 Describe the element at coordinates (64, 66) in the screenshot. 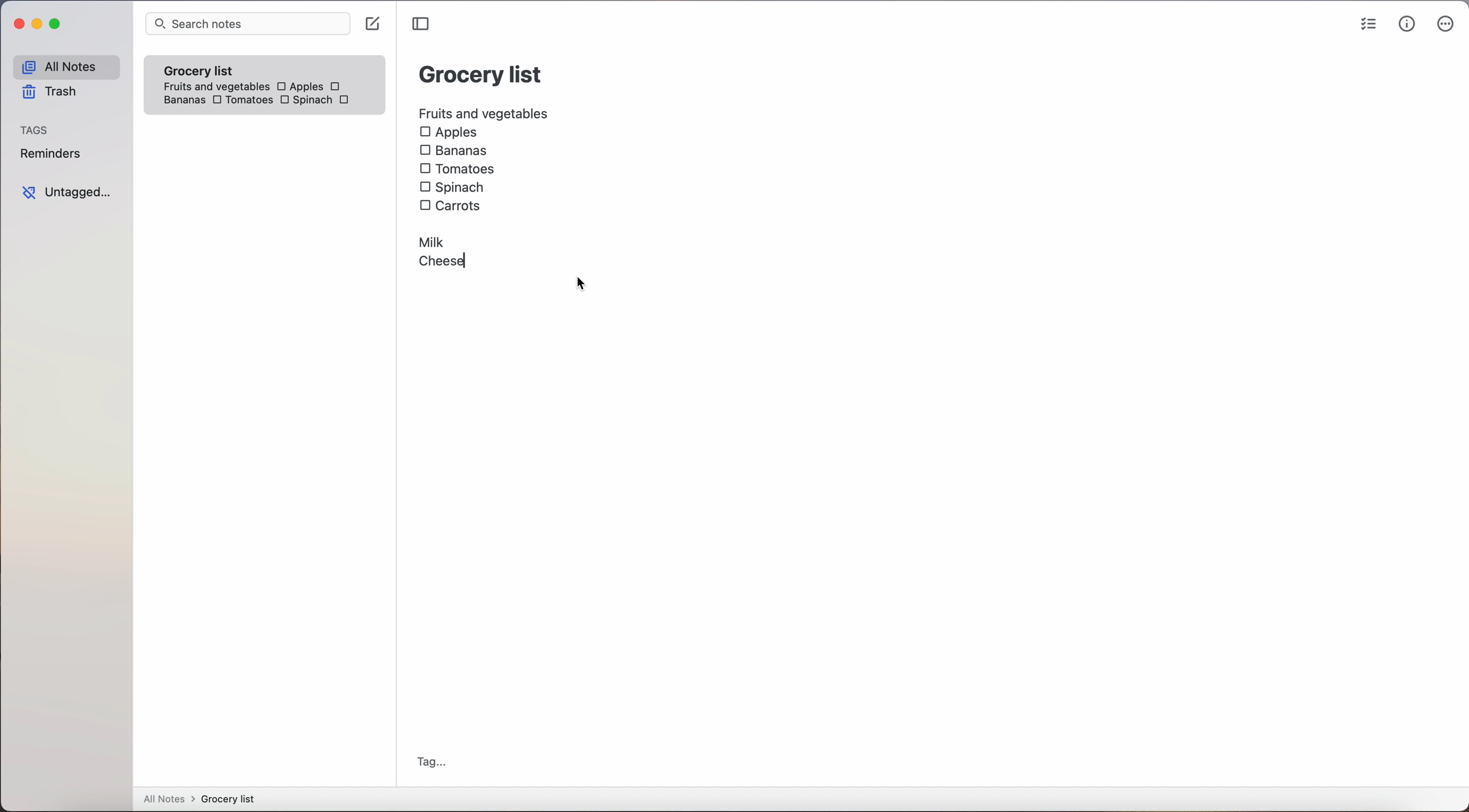

I see `all notes` at that location.